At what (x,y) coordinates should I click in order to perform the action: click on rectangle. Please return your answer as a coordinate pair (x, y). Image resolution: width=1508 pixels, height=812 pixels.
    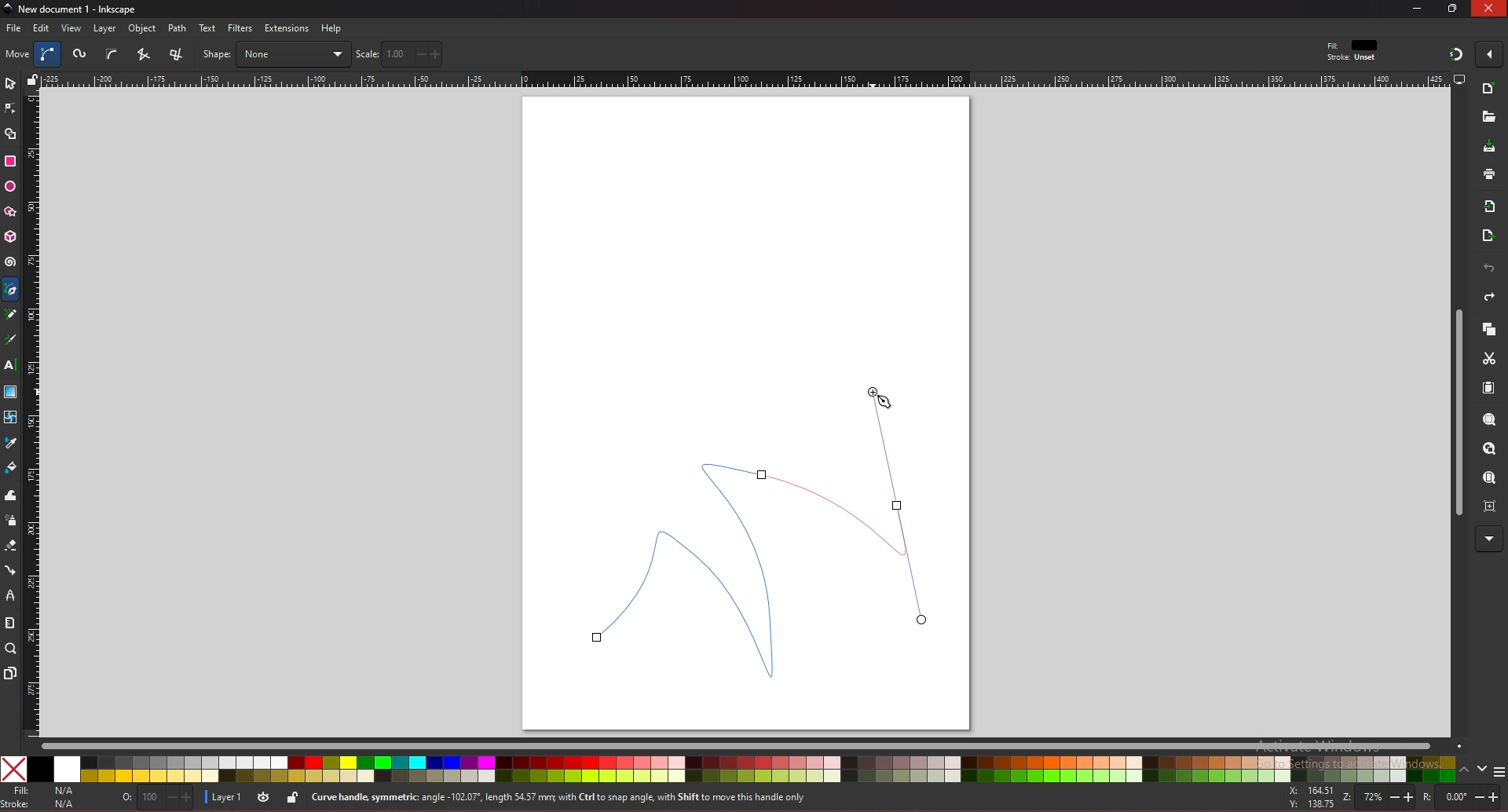
    Looking at the image, I should click on (9, 161).